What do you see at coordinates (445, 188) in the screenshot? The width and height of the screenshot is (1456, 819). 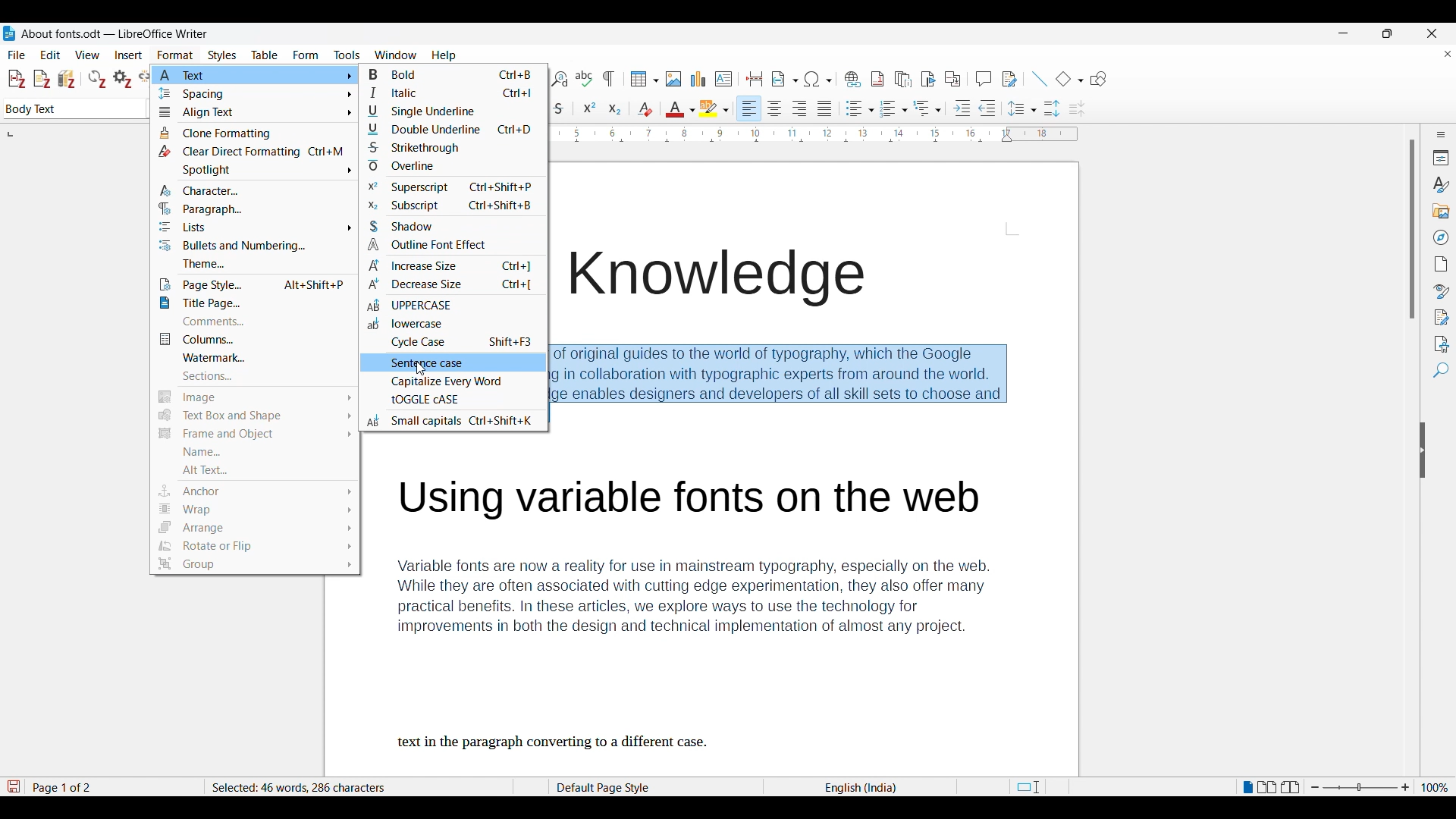 I see `Superscript` at bounding box center [445, 188].